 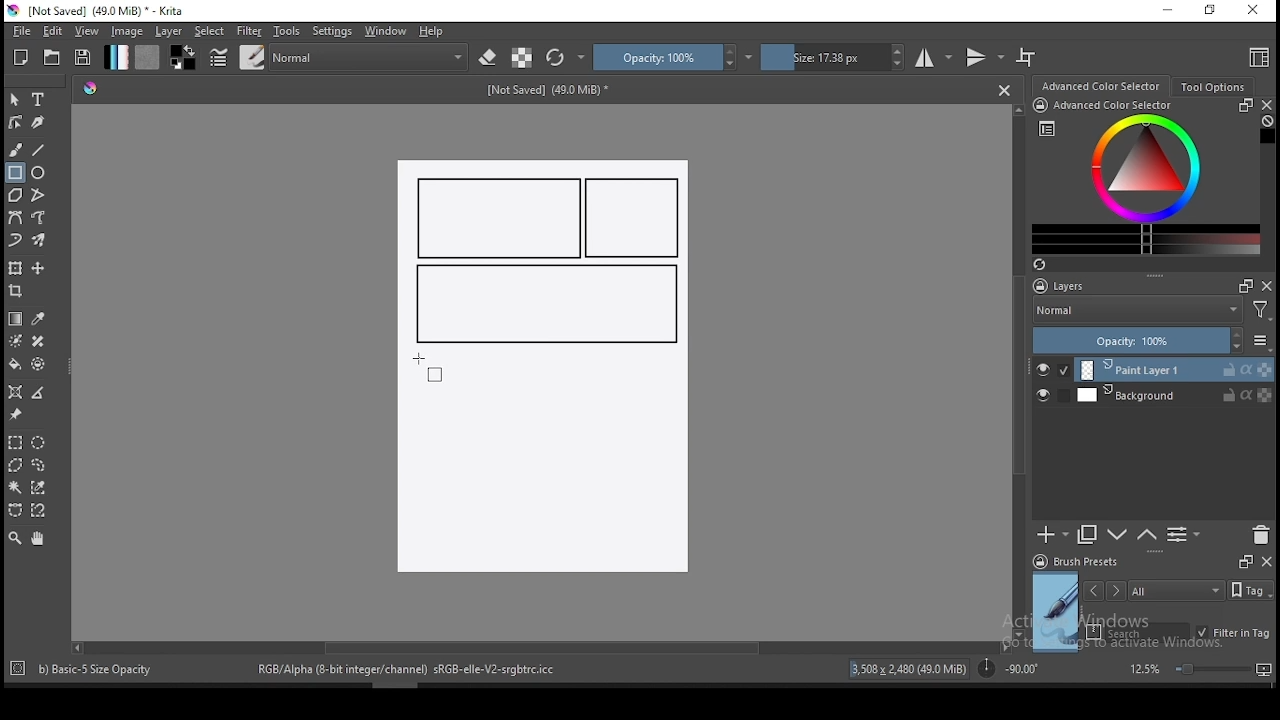 I want to click on select, so click(x=210, y=31).